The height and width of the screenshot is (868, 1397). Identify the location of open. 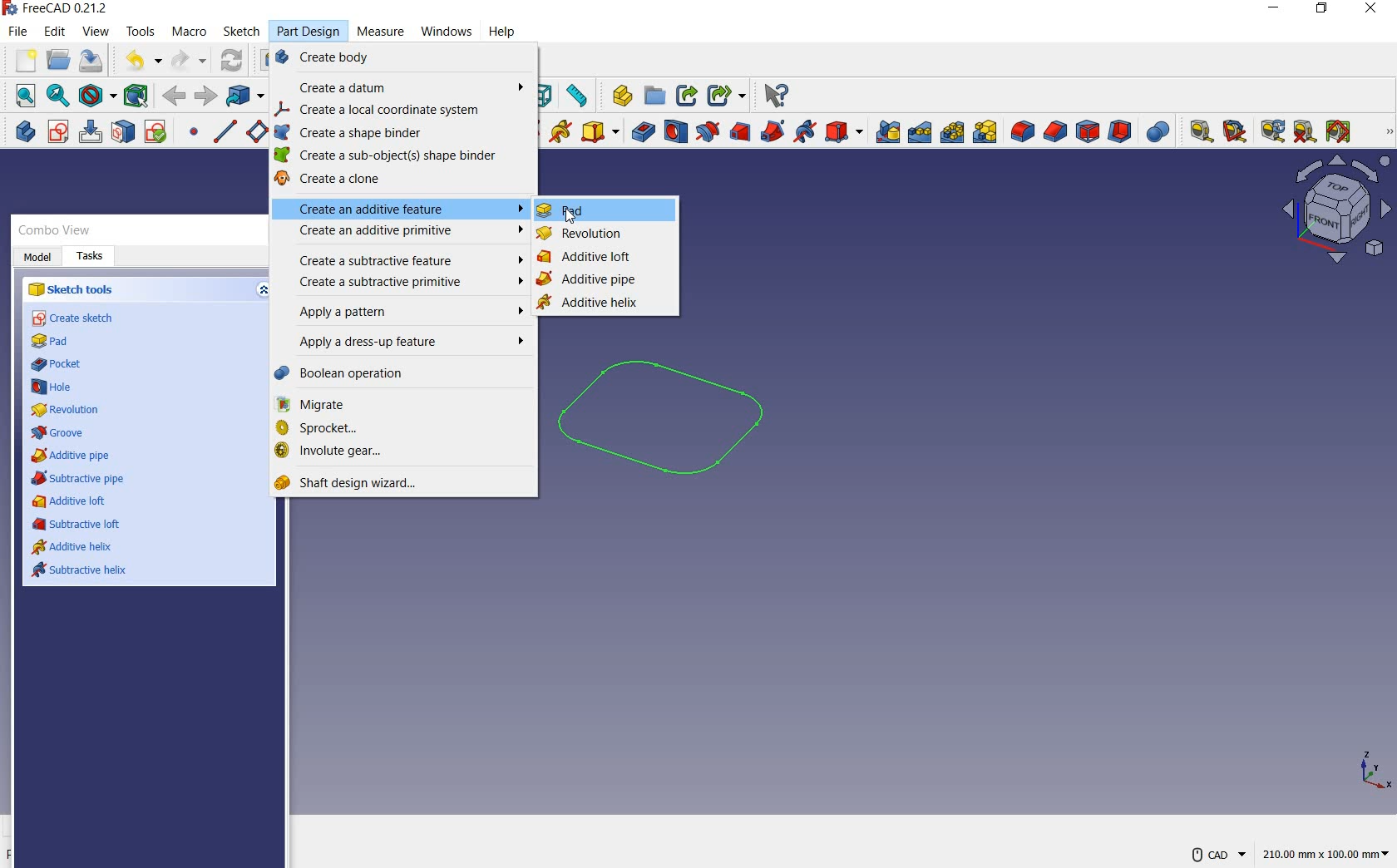
(57, 61).